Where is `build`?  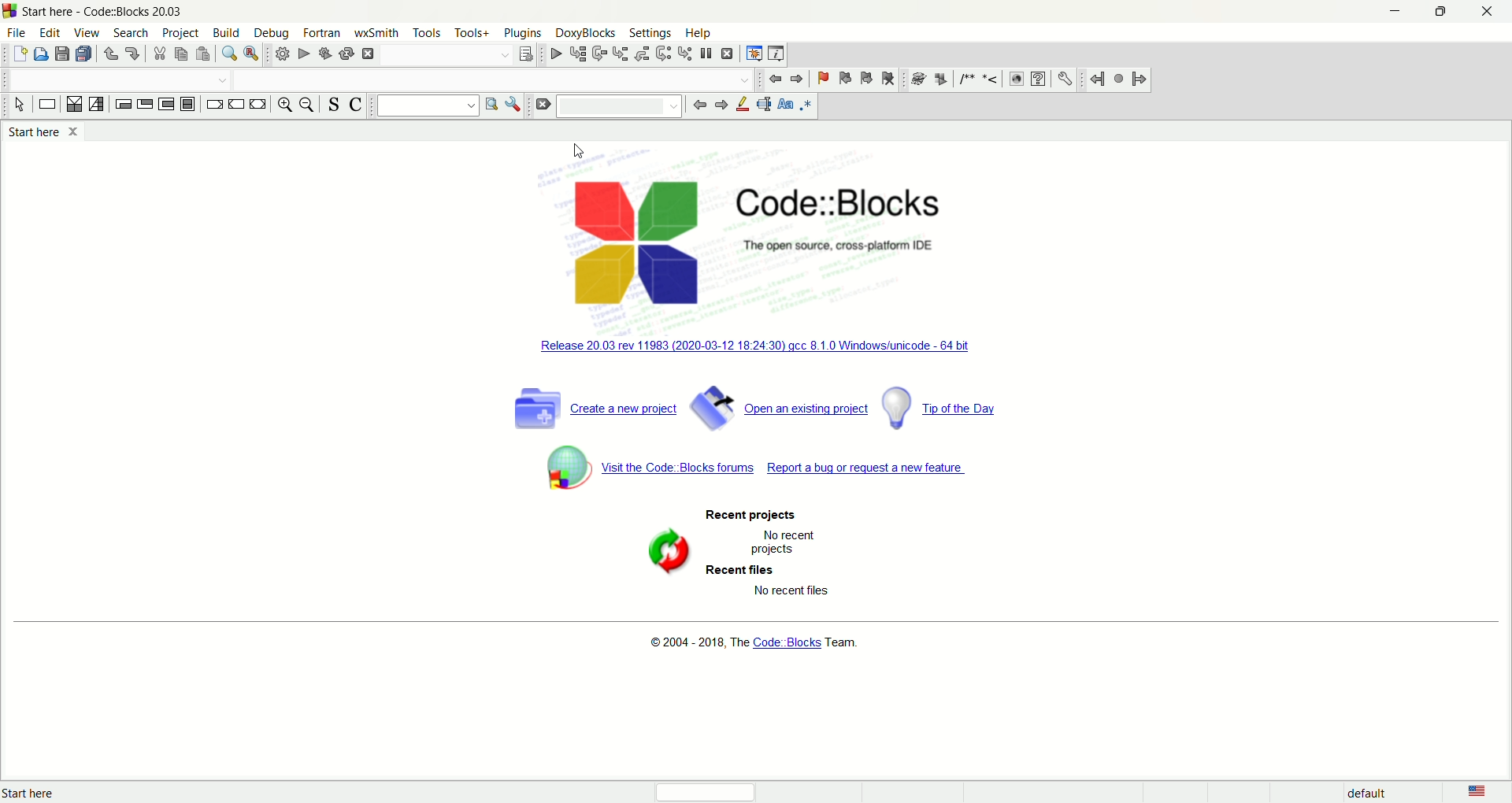 build is located at coordinates (227, 34).